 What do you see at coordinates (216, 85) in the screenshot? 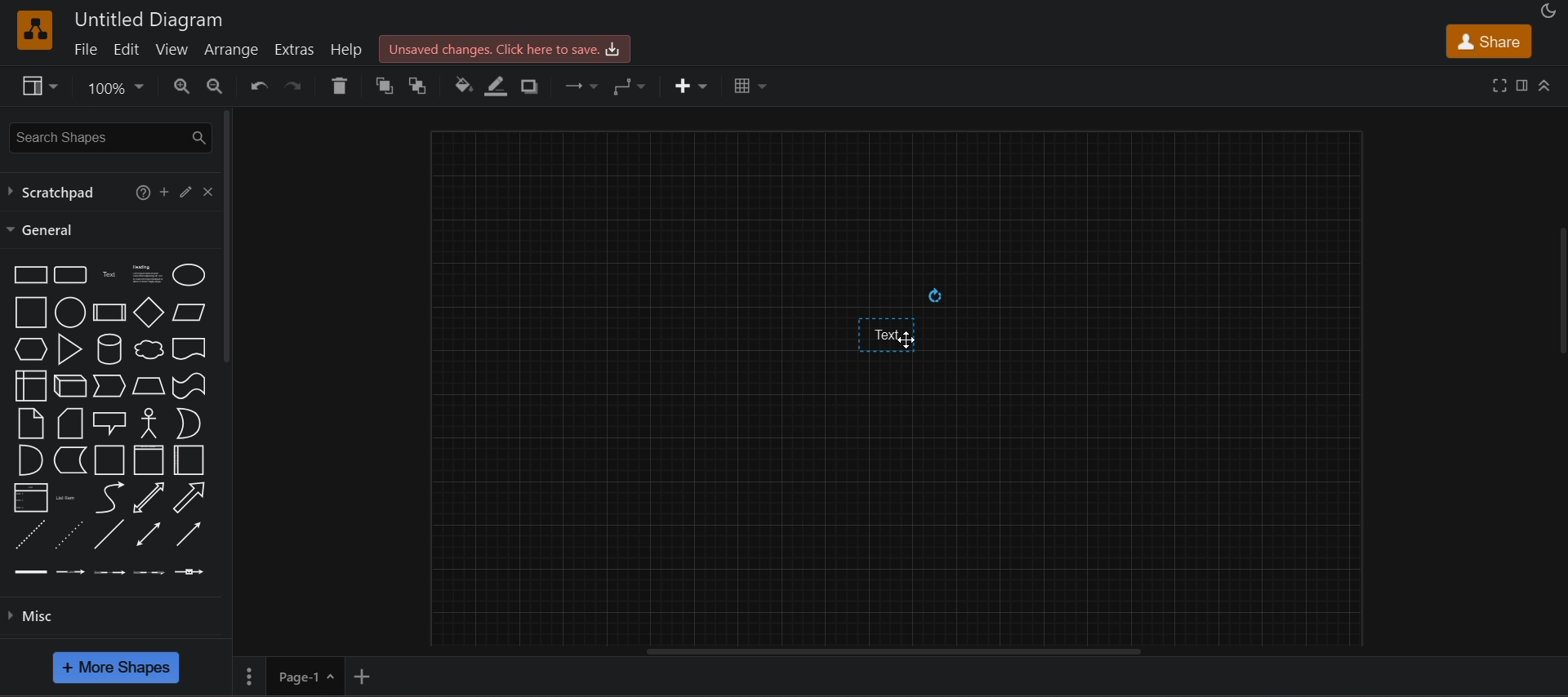
I see `zoom out` at bounding box center [216, 85].